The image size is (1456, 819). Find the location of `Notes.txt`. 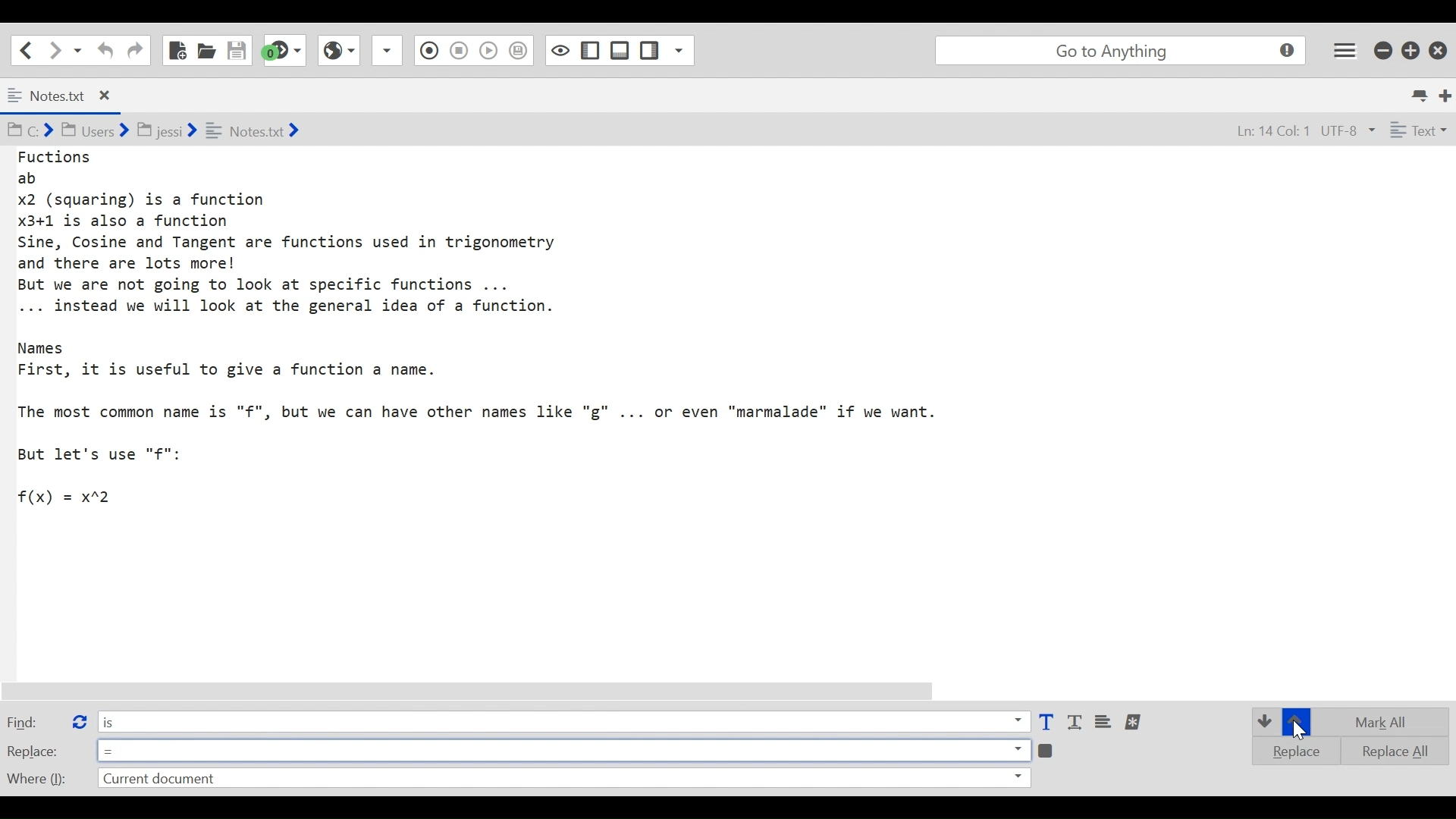

Notes.txt is located at coordinates (71, 96).